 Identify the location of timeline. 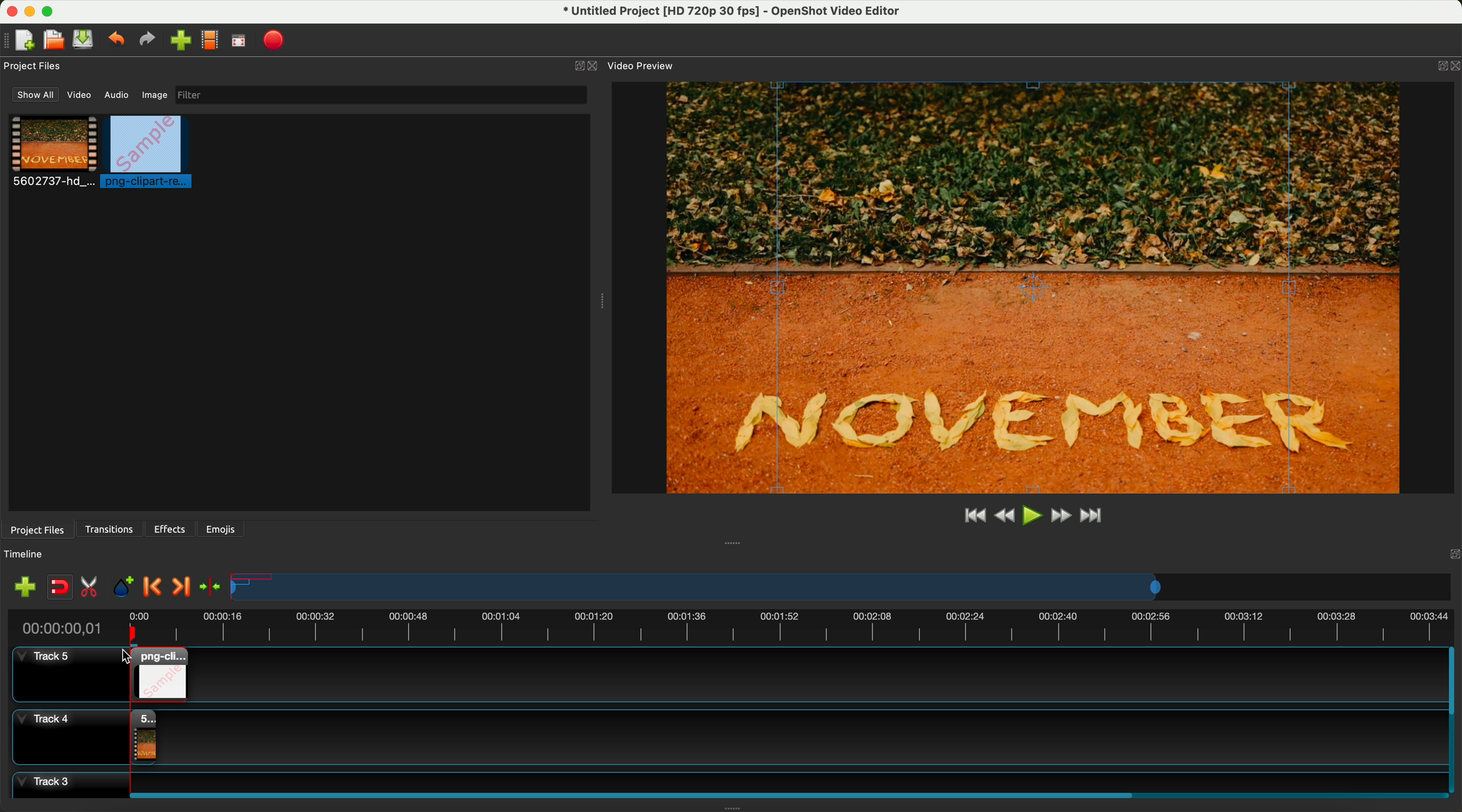
(30, 554).